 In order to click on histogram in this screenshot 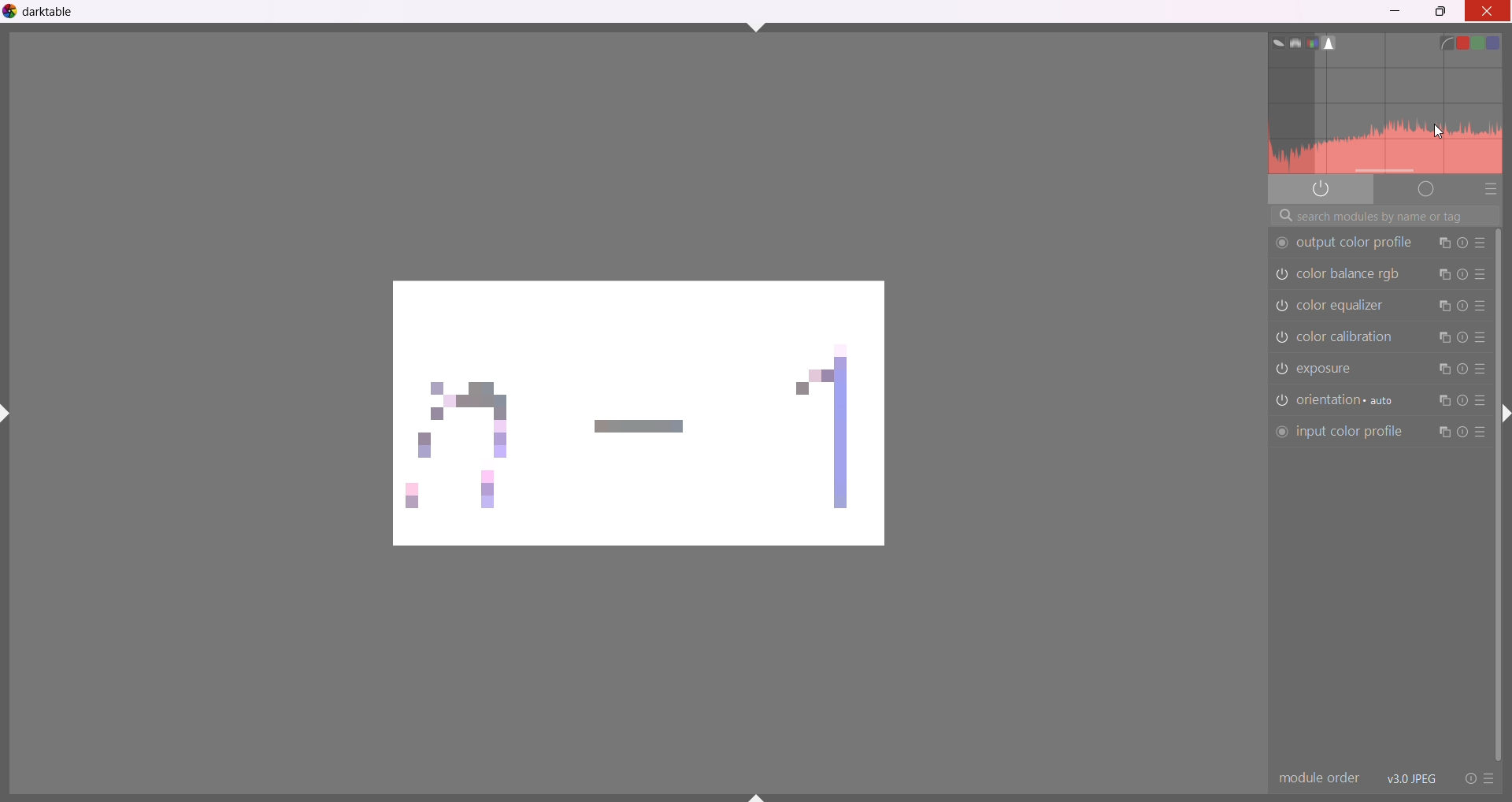, I will do `click(1333, 43)`.